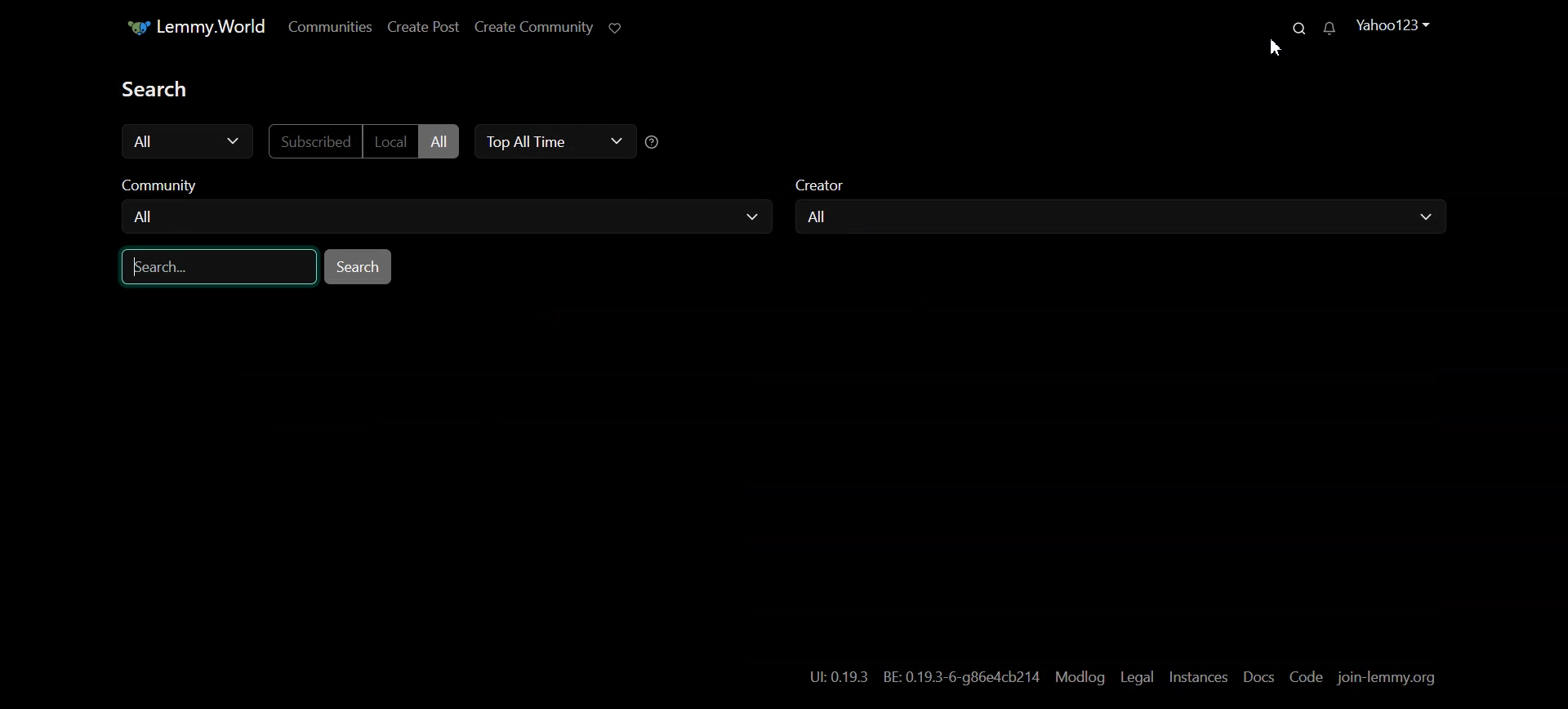  Describe the element at coordinates (1258, 676) in the screenshot. I see `Docs` at that location.